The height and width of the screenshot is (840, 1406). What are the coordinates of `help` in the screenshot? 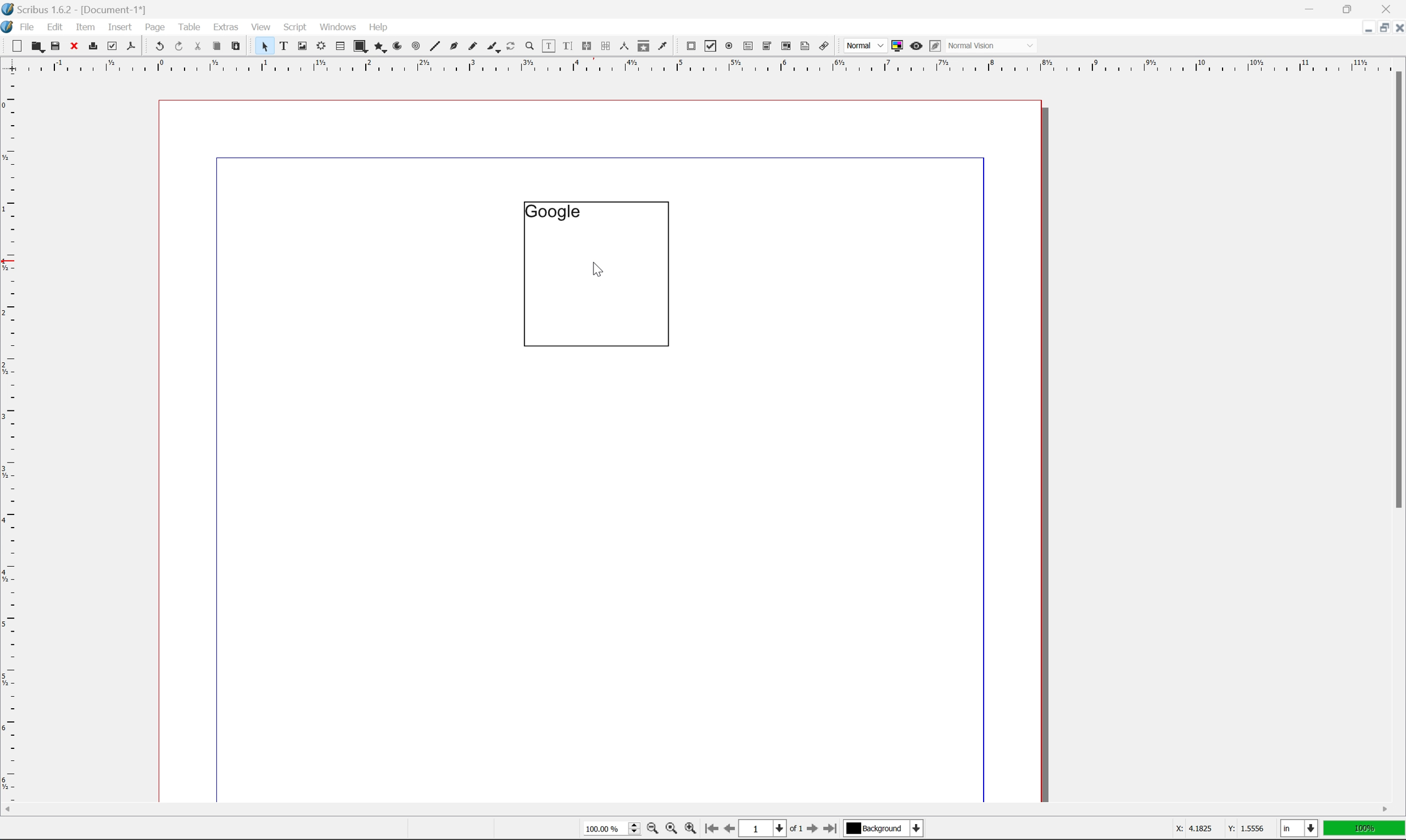 It's located at (378, 27).